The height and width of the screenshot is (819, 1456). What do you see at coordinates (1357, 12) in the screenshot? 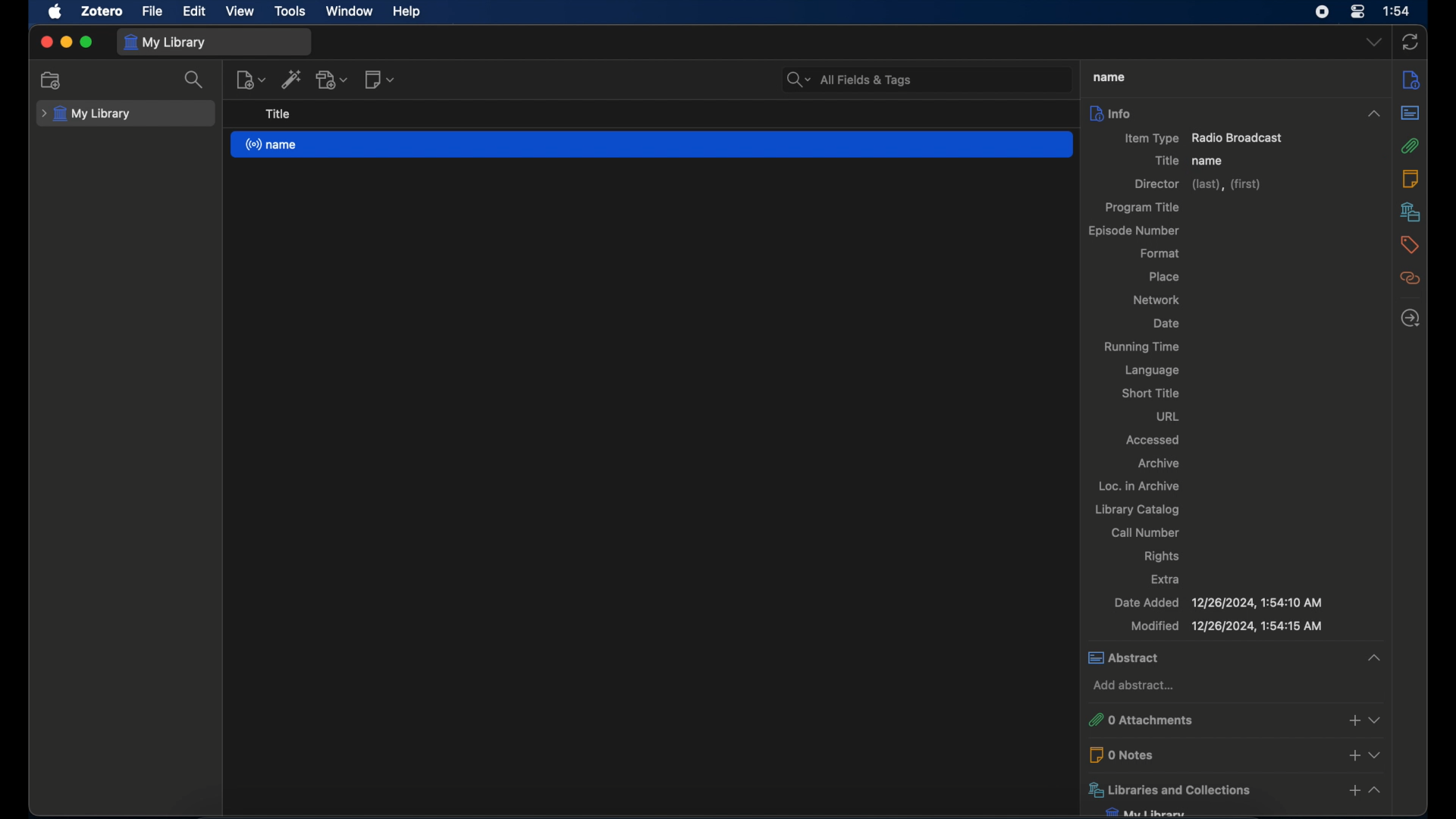
I see `control center` at bounding box center [1357, 12].